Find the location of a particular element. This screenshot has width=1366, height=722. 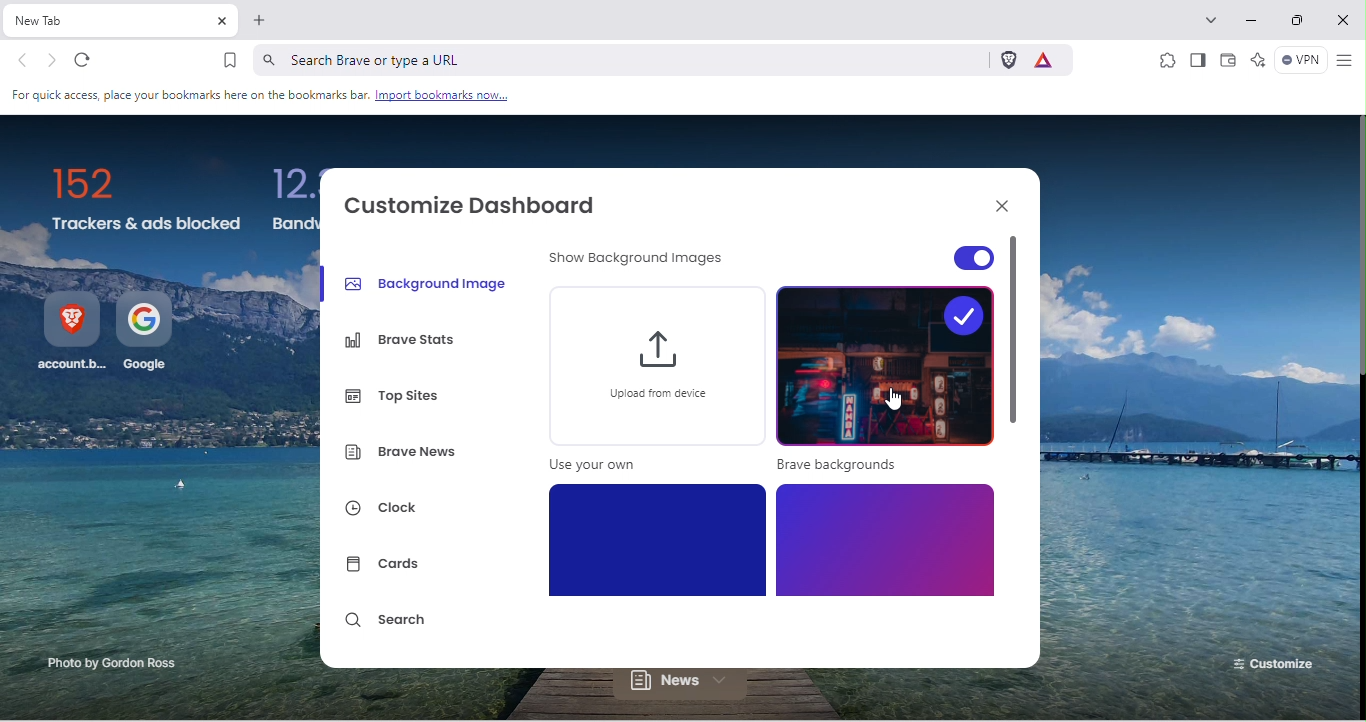

Click to go forward is located at coordinates (52, 60).